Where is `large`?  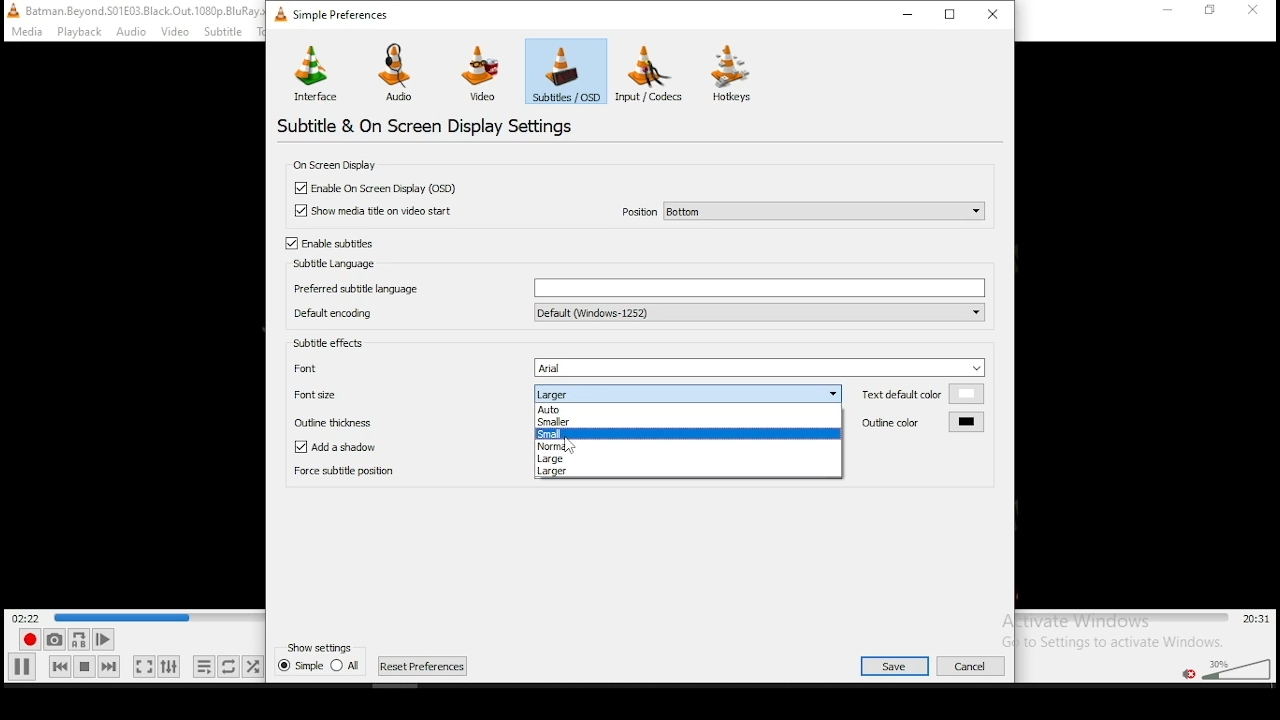
large is located at coordinates (688, 459).